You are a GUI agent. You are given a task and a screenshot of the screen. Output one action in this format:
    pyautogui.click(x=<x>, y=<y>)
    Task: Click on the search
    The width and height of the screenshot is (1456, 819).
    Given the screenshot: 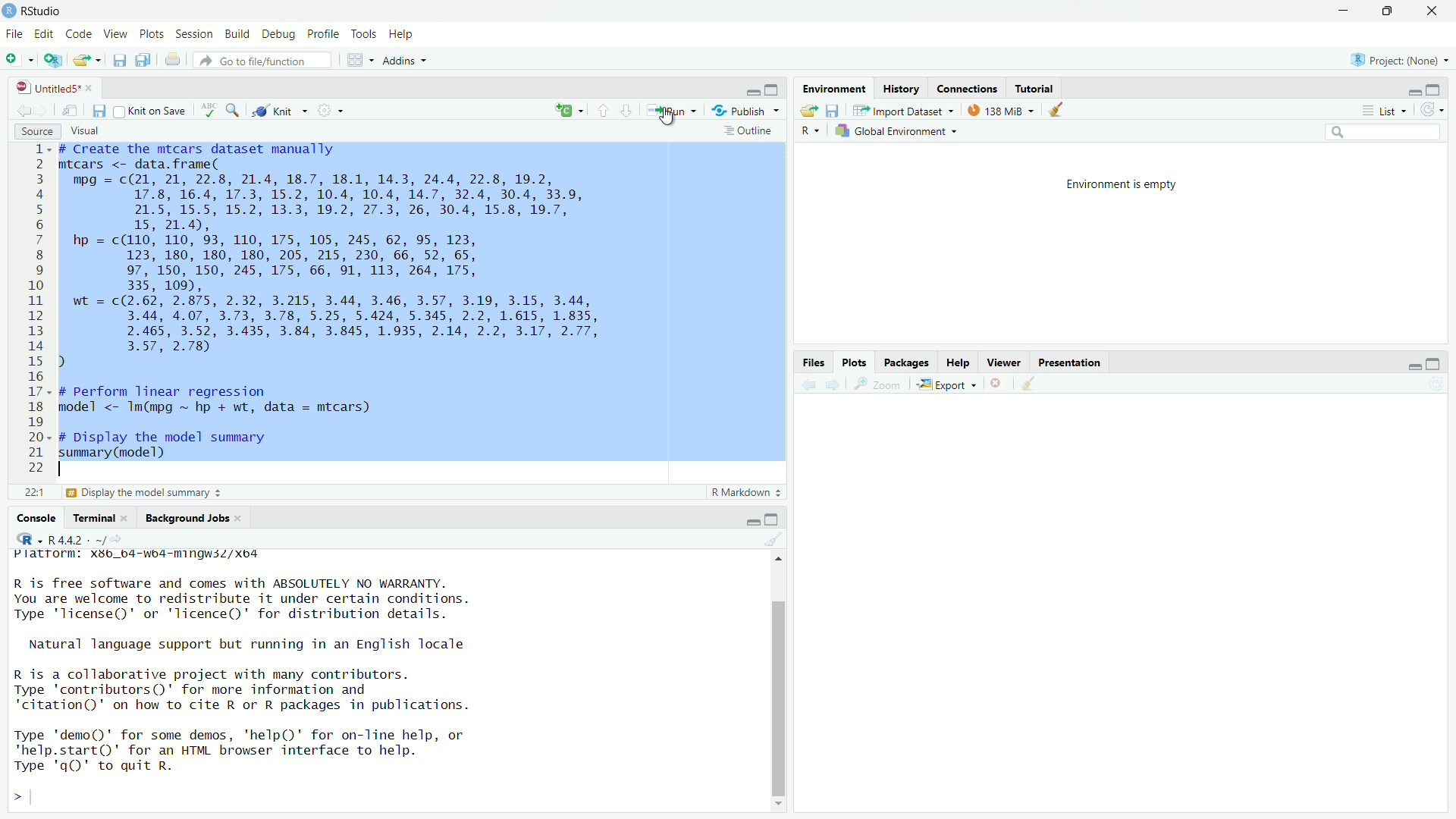 What is the action you would take?
    pyautogui.click(x=236, y=111)
    